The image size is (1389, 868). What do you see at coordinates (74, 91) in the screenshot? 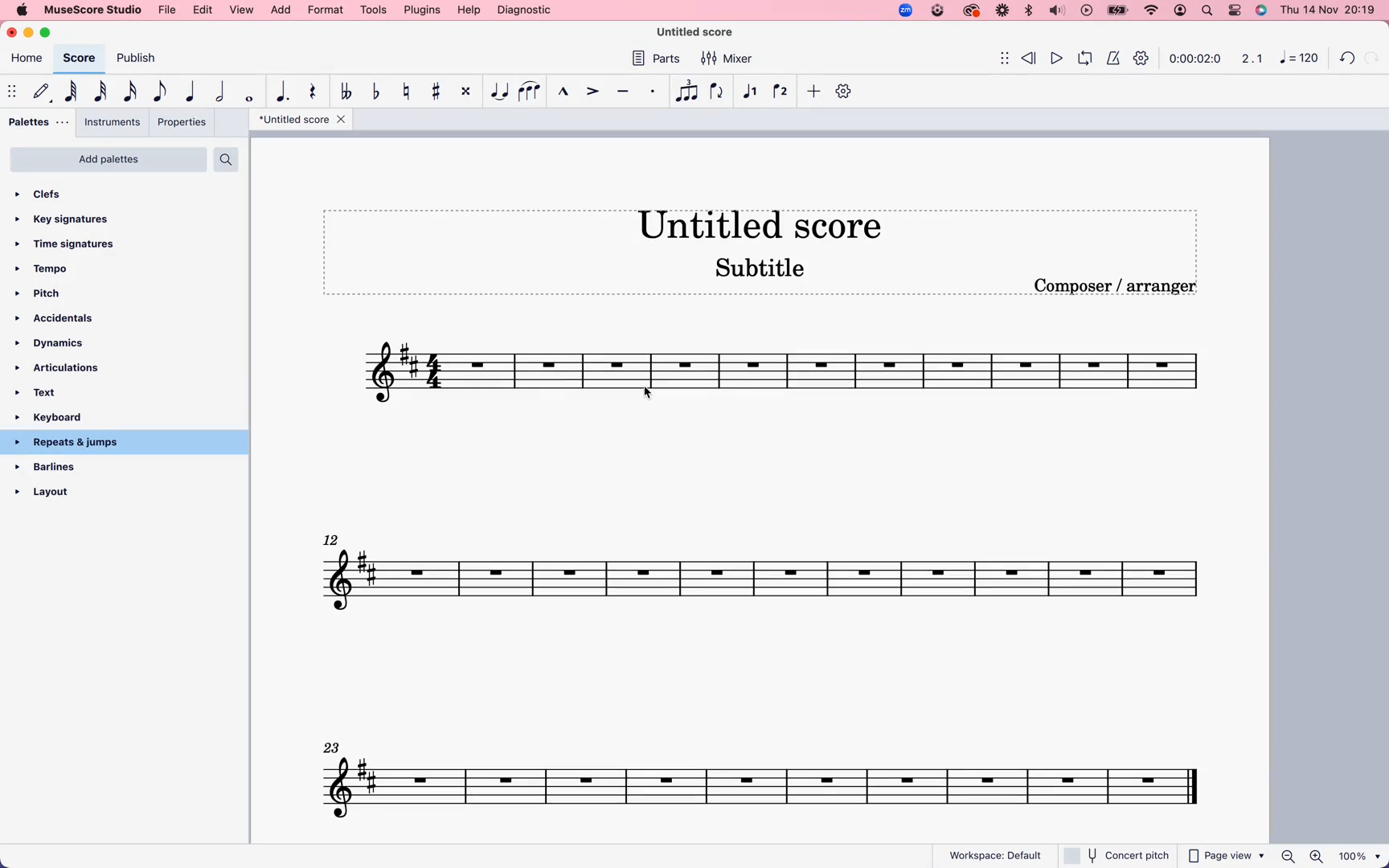
I see `64th note` at bounding box center [74, 91].